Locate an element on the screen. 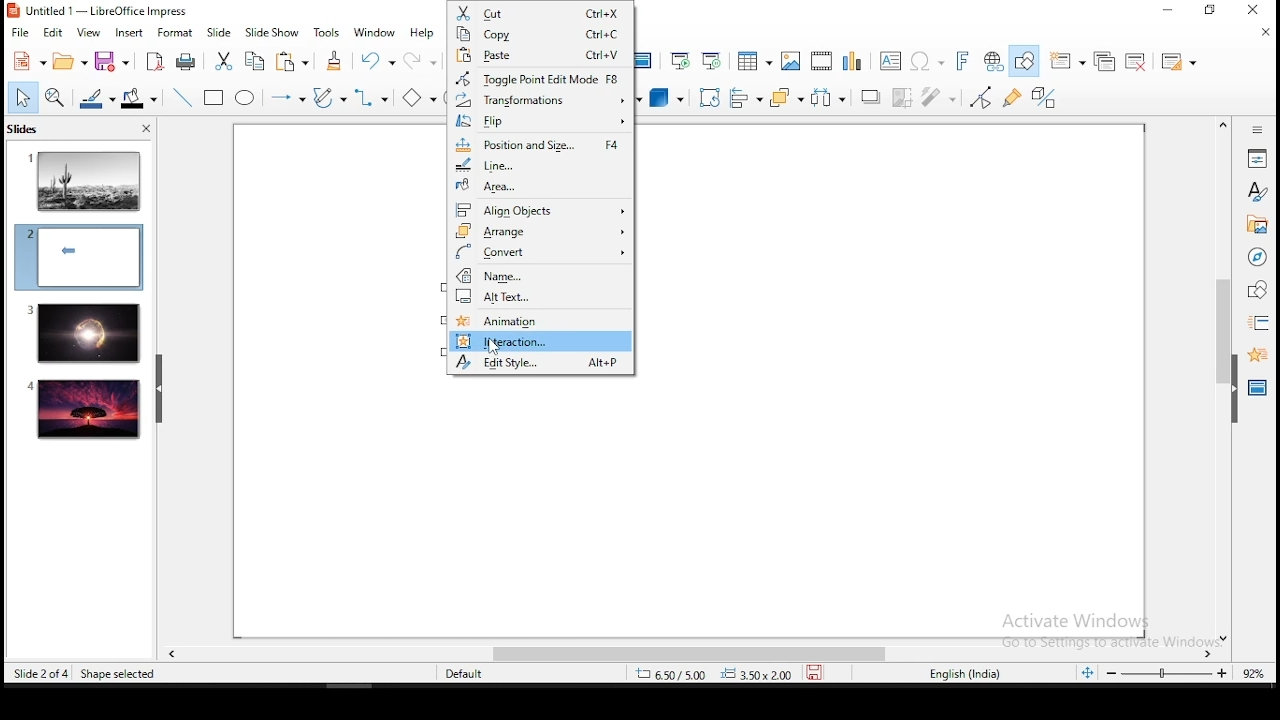  animation is located at coordinates (1255, 353).